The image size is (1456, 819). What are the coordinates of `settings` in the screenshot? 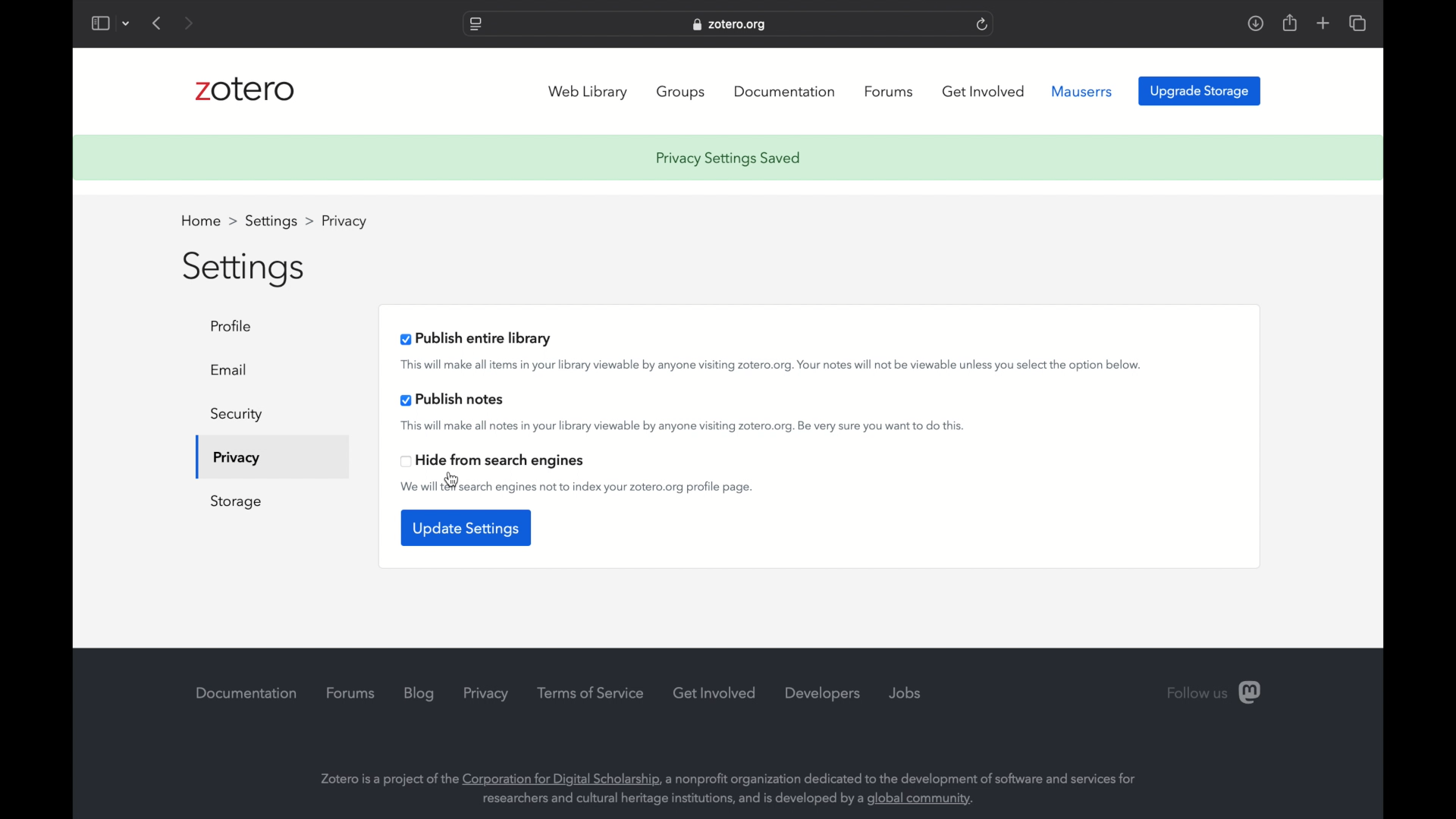 It's located at (278, 219).